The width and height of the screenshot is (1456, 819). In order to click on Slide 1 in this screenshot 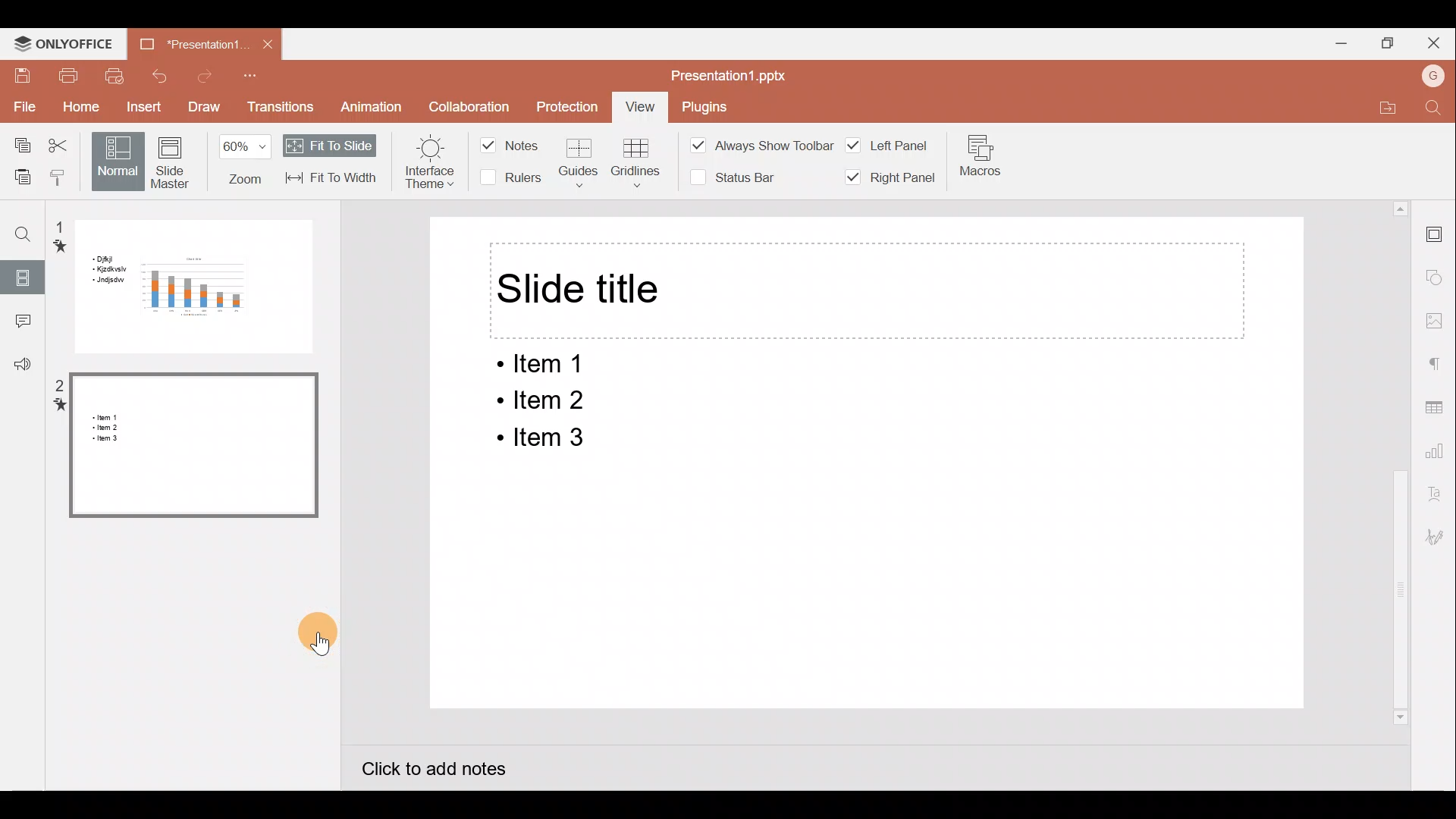, I will do `click(184, 444)`.